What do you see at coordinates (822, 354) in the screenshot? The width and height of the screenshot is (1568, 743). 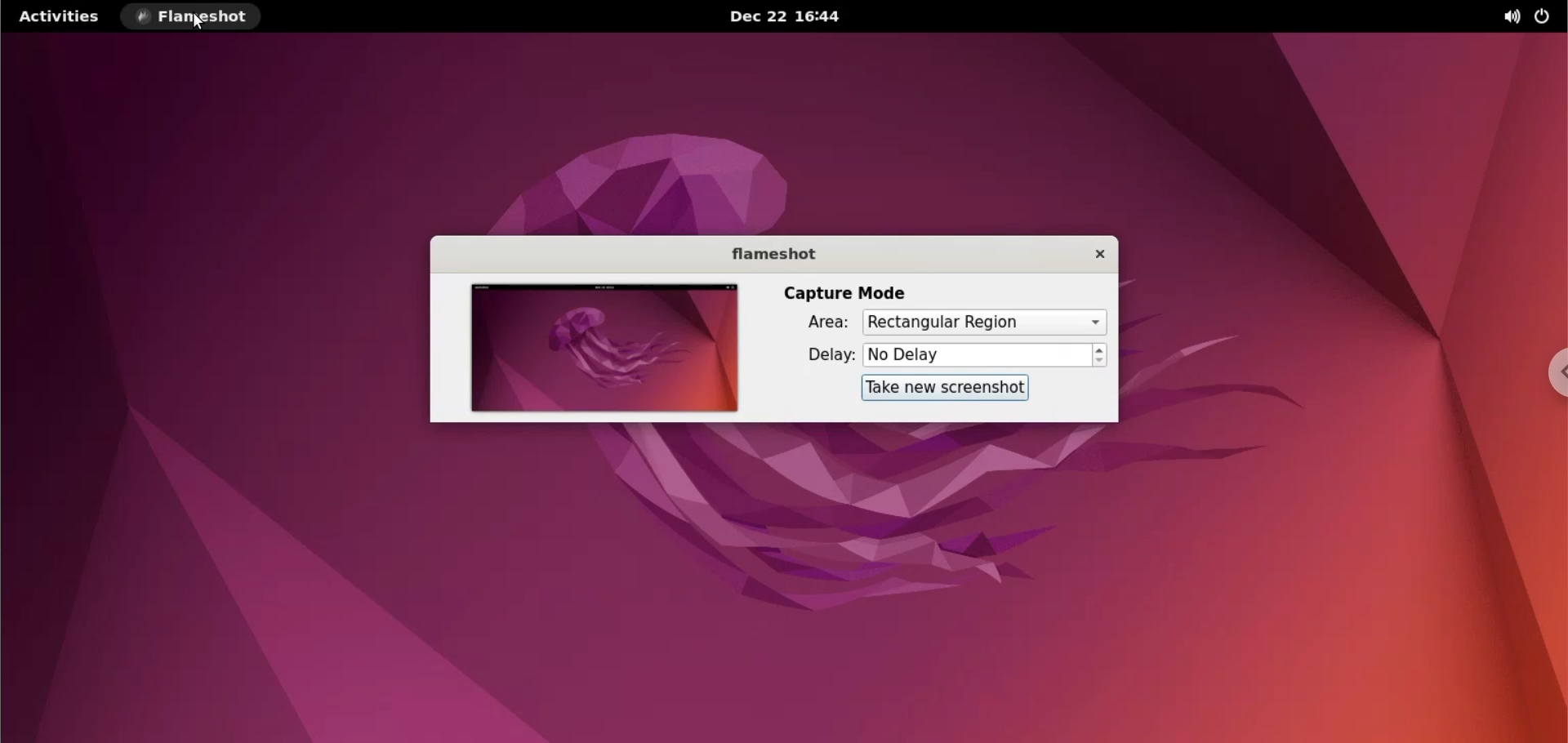 I see `delay:` at bounding box center [822, 354].